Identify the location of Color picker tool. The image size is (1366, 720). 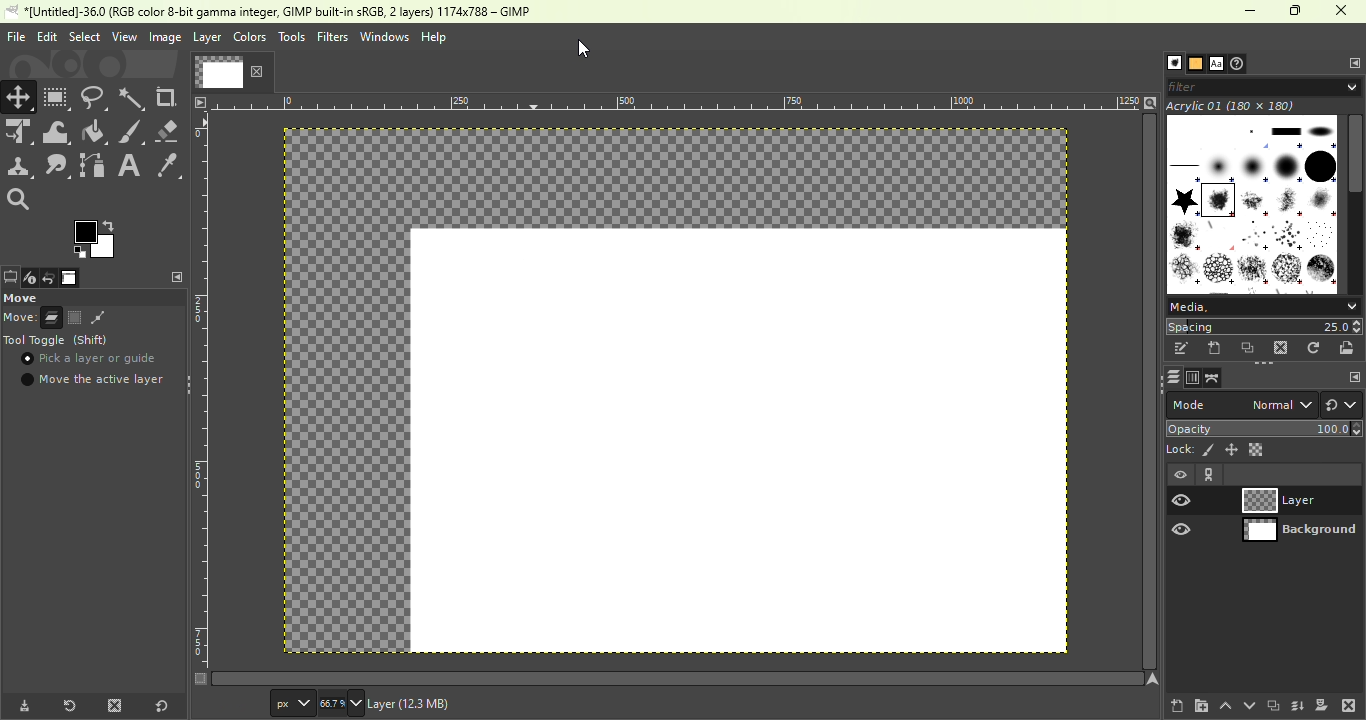
(168, 164).